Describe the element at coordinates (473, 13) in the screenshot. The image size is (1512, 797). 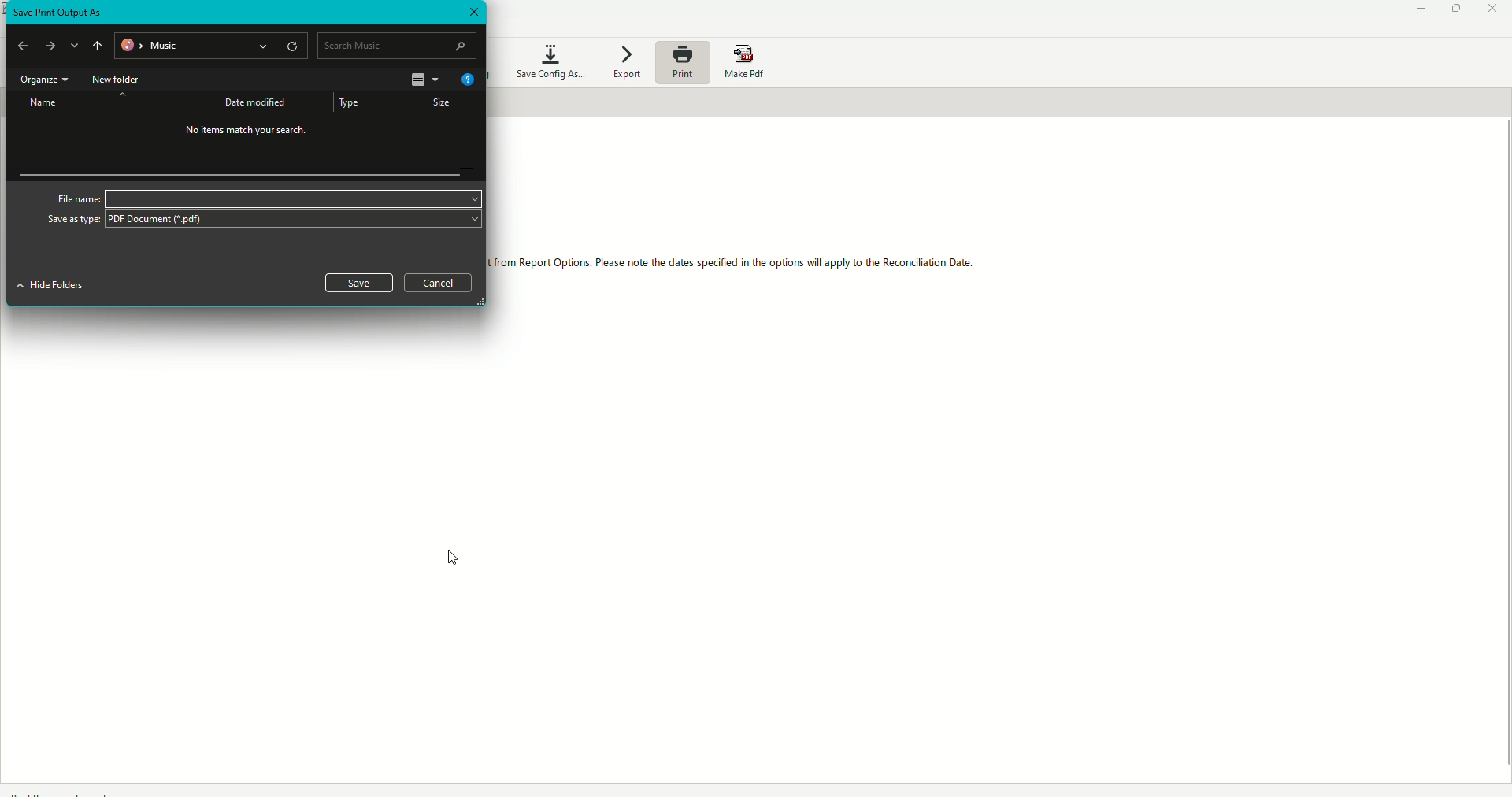
I see `Close` at that location.